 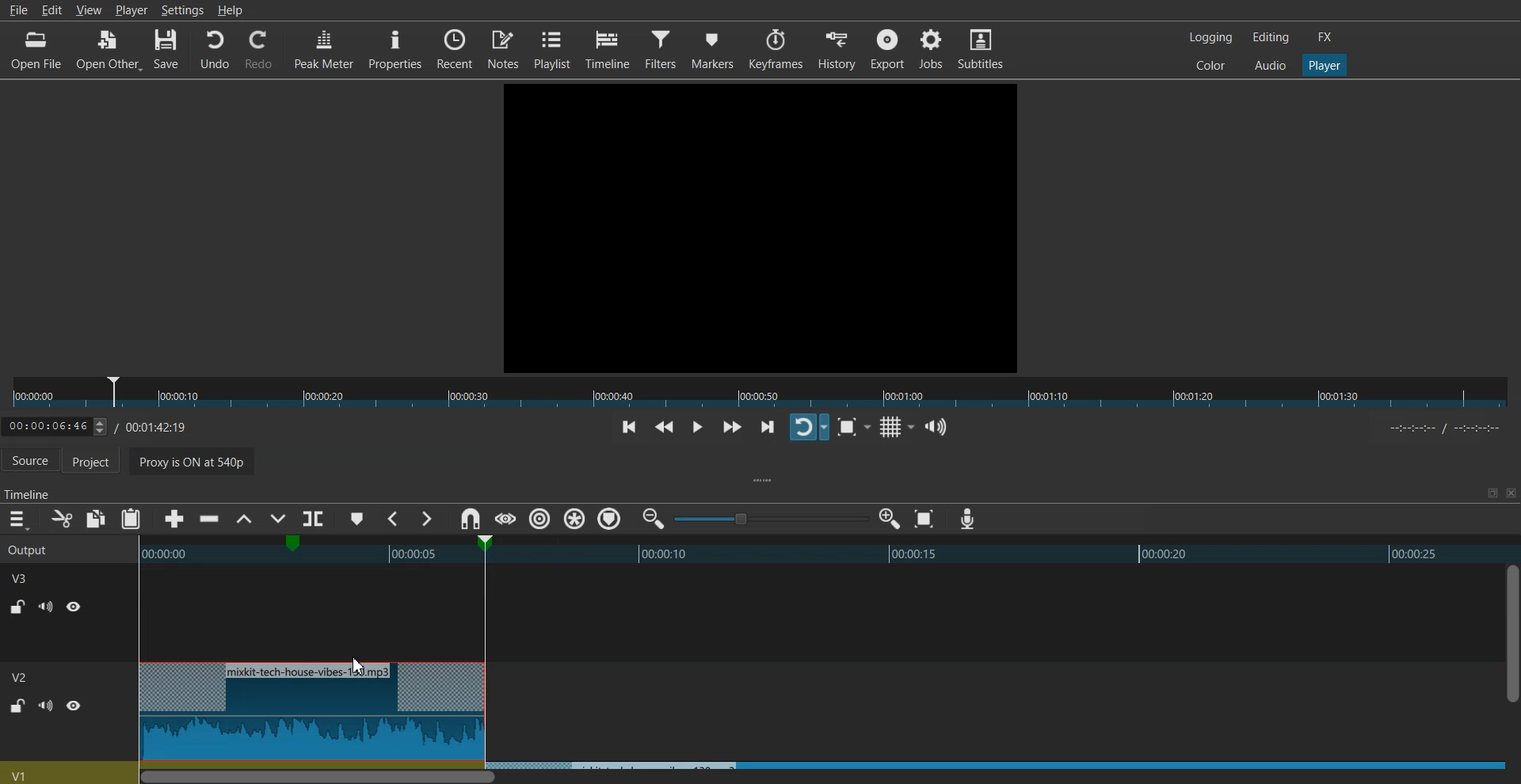 I want to click on Jobs, so click(x=930, y=48).